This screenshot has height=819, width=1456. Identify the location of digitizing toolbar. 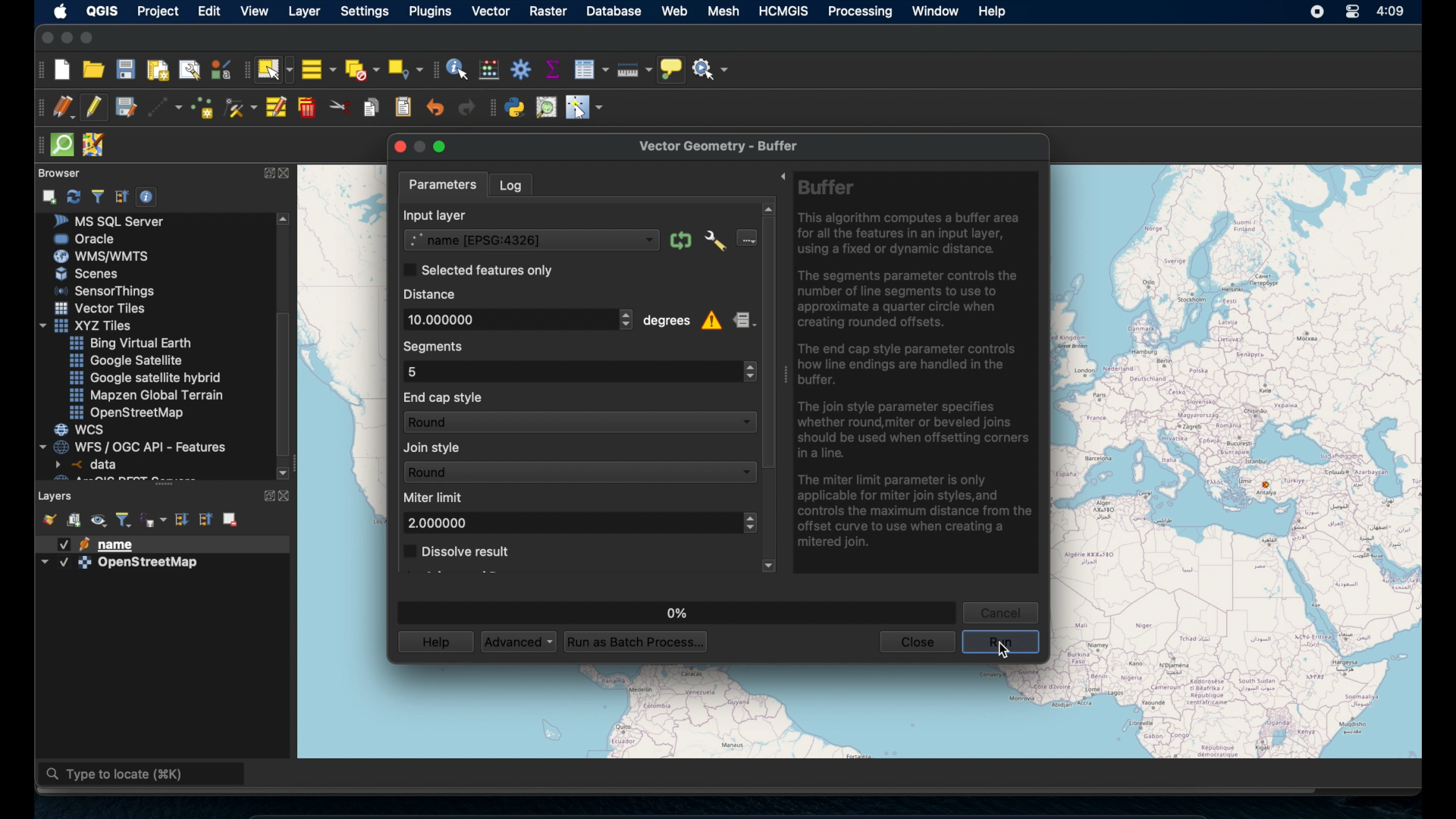
(36, 108).